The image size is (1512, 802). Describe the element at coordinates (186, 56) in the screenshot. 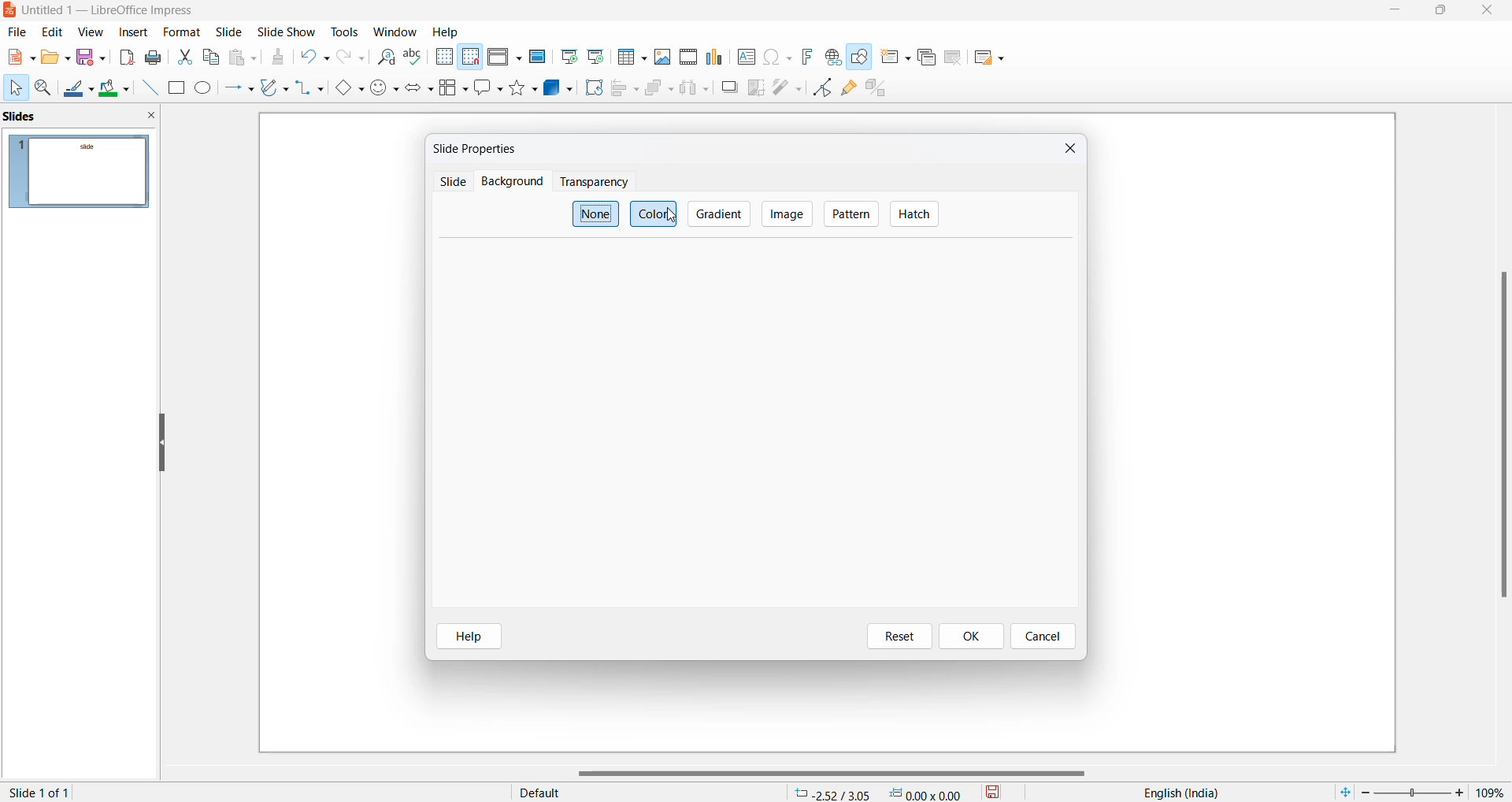

I see `cut` at that location.